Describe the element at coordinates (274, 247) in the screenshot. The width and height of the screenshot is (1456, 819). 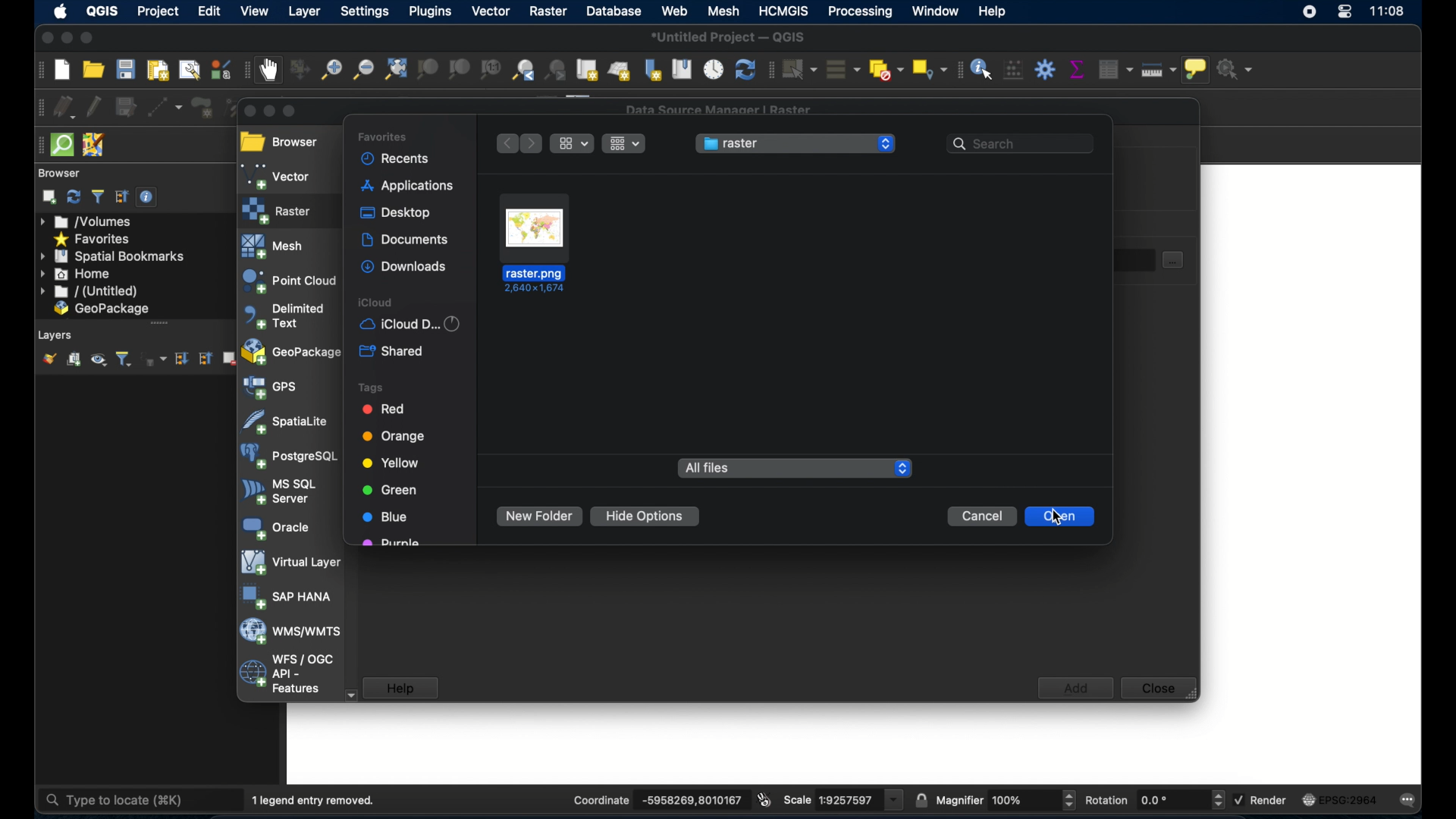
I see `mesh` at that location.